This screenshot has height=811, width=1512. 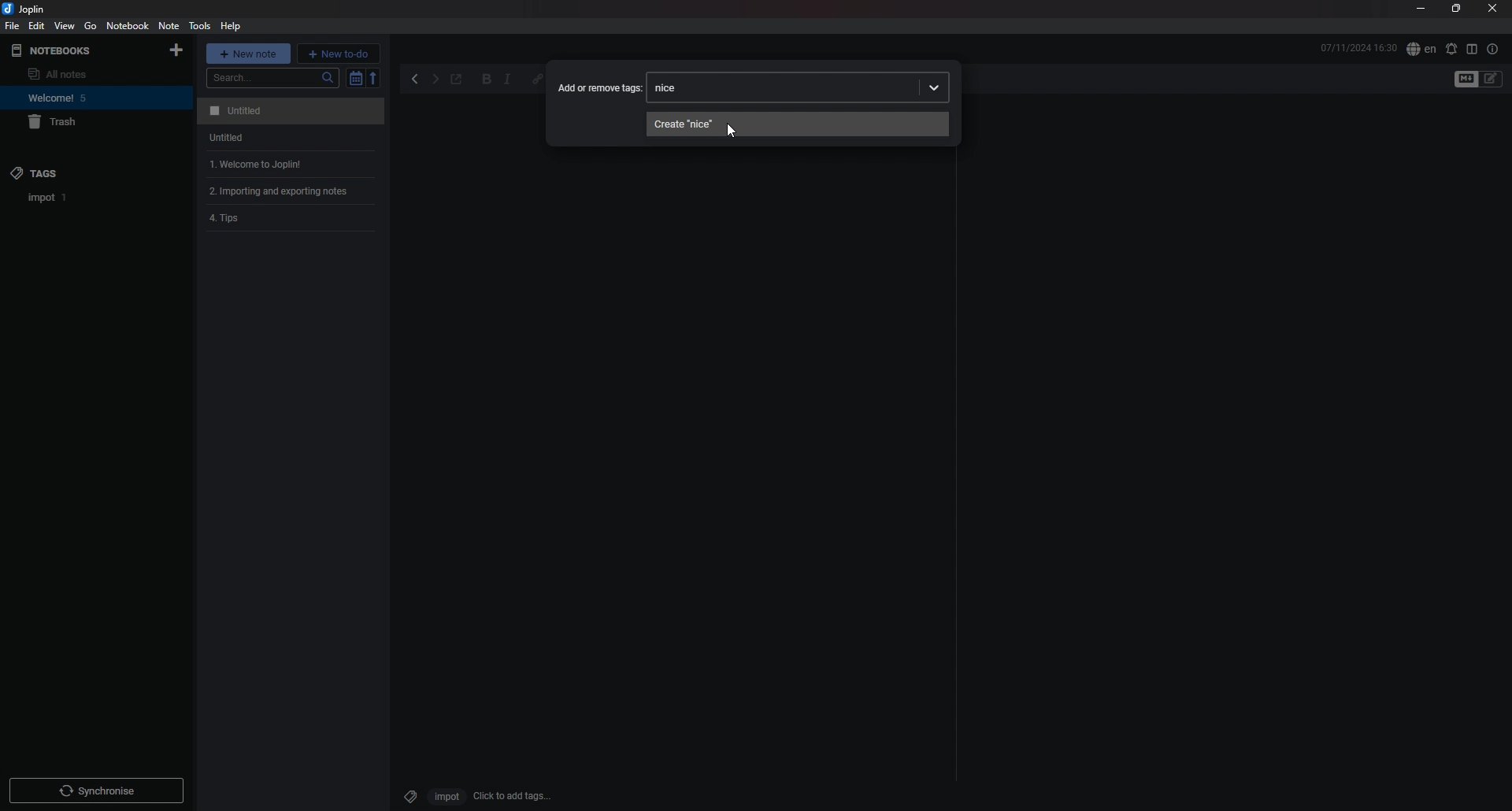 What do you see at coordinates (1472, 49) in the screenshot?
I see `toggle editor layout` at bounding box center [1472, 49].